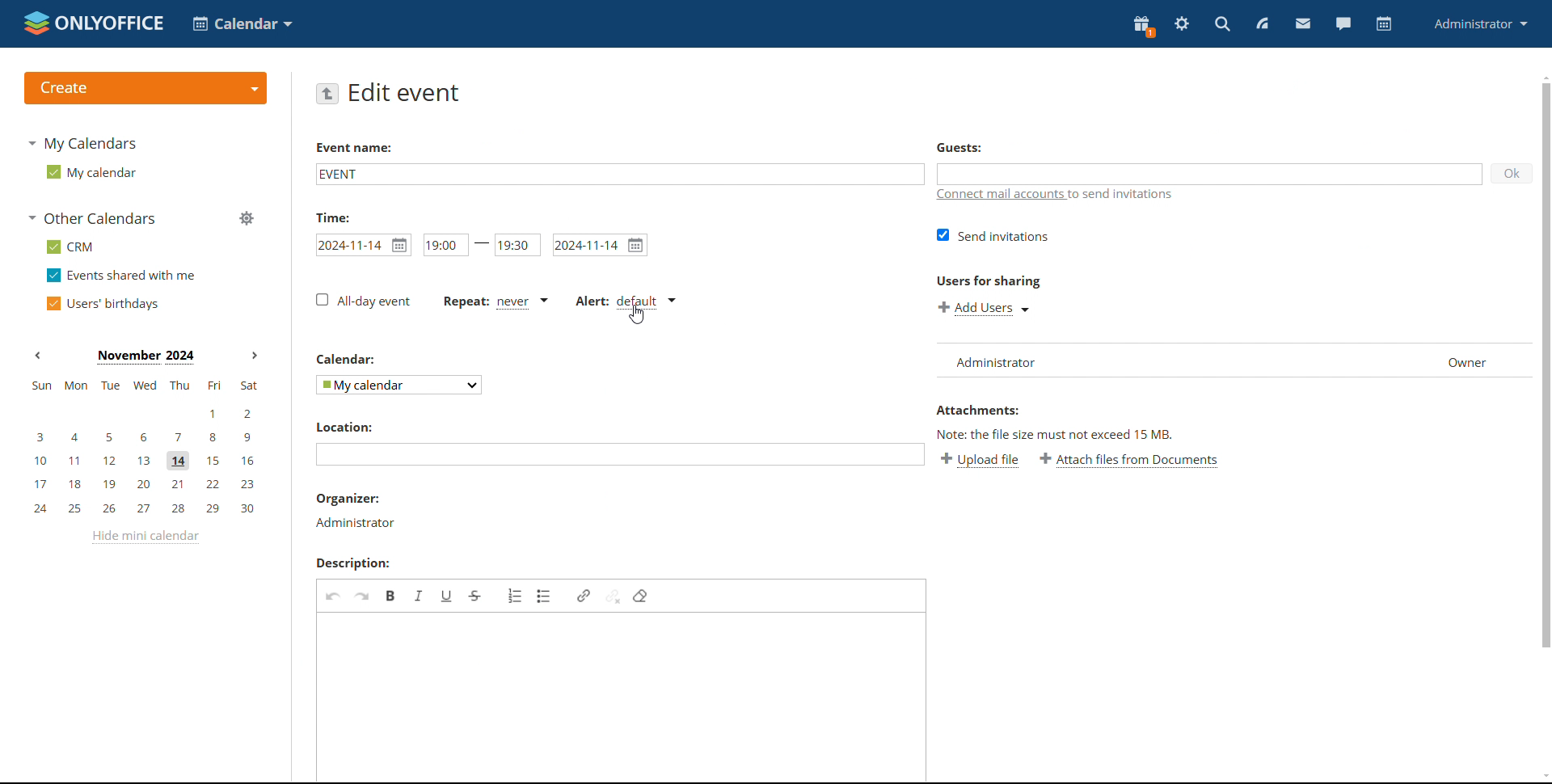 This screenshot has height=784, width=1552. Describe the element at coordinates (981, 411) in the screenshot. I see `attachment:` at that location.